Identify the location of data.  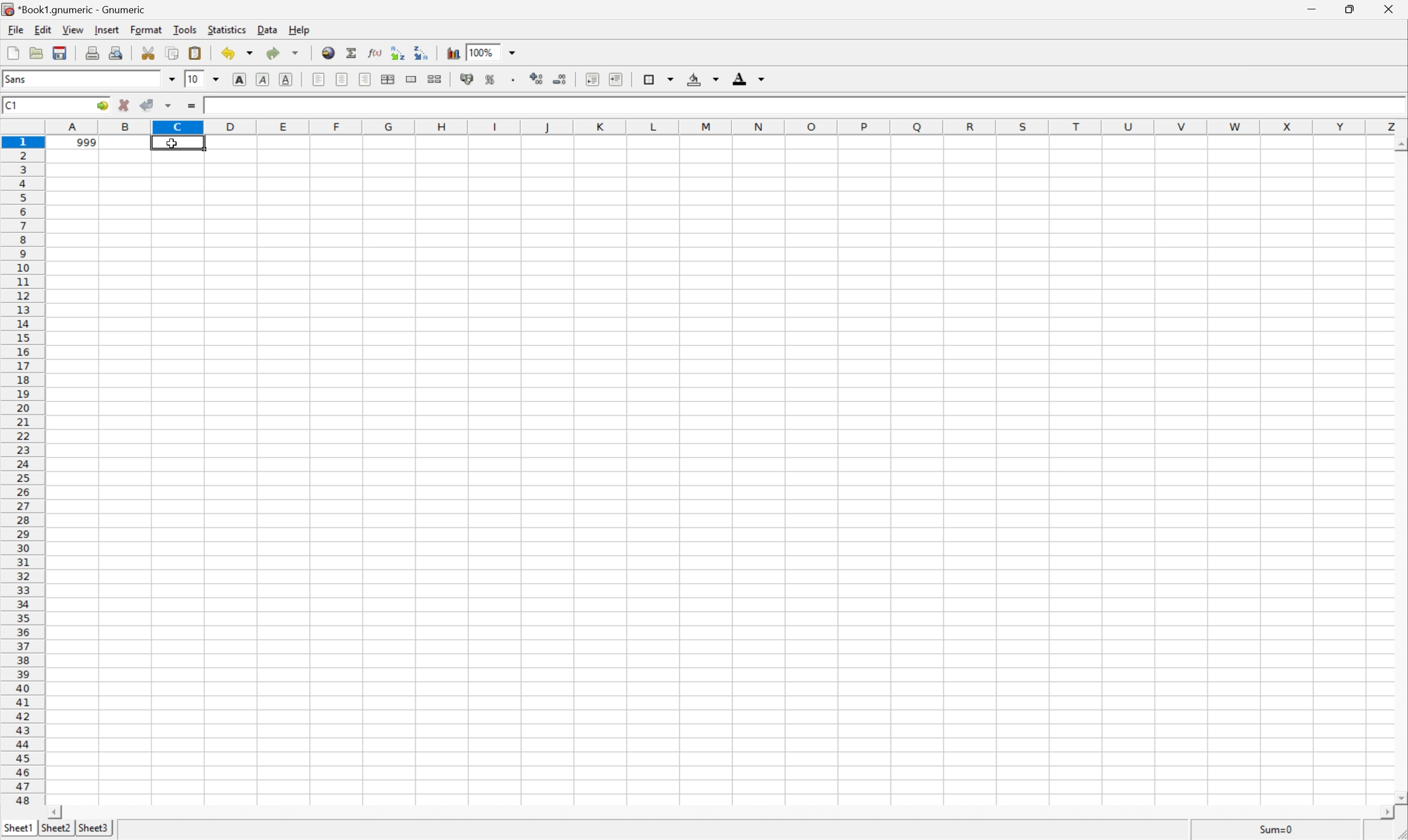
(269, 30).